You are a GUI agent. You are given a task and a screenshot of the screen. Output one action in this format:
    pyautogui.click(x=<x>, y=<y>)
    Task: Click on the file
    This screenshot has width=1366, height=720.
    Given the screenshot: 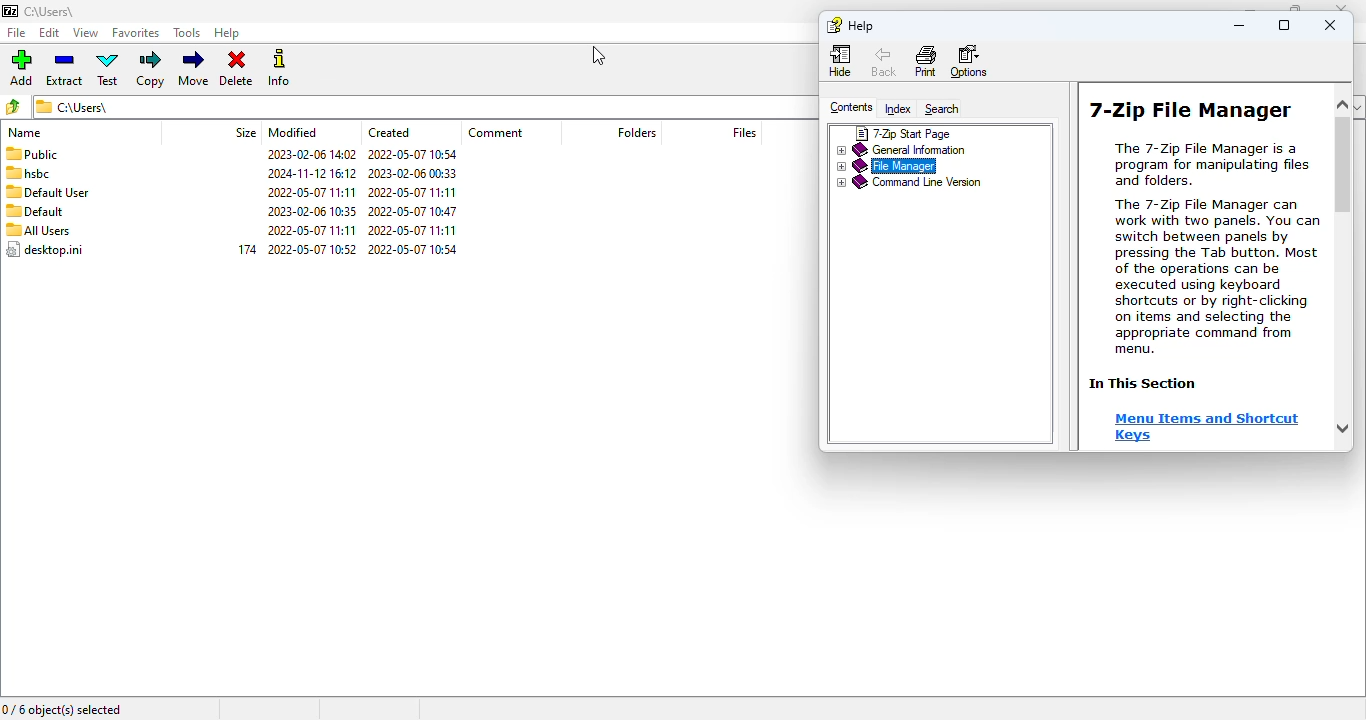 What is the action you would take?
    pyautogui.click(x=17, y=32)
    